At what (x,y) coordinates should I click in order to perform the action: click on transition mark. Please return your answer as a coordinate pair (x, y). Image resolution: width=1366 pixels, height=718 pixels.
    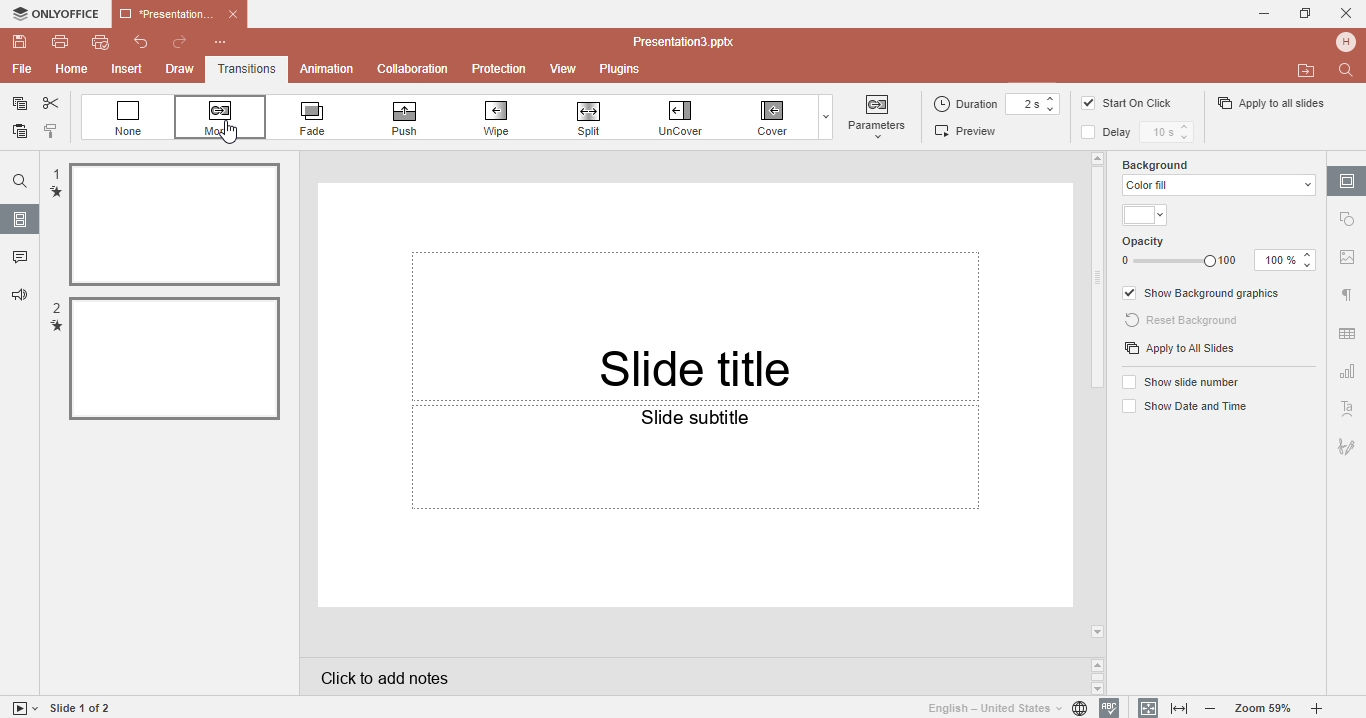
    Looking at the image, I should click on (56, 192).